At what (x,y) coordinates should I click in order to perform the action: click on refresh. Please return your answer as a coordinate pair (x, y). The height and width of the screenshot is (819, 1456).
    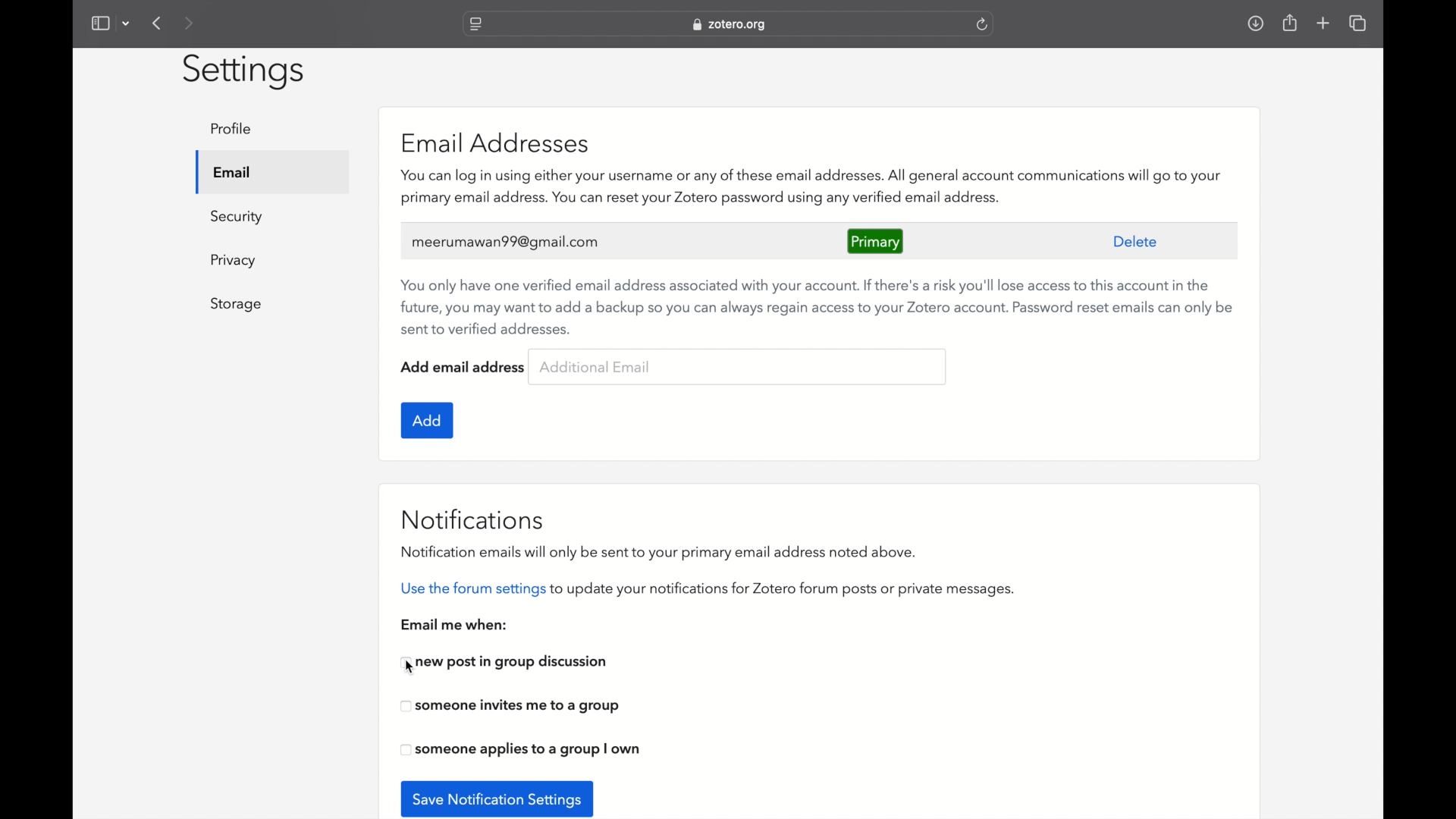
    Looking at the image, I should click on (982, 24).